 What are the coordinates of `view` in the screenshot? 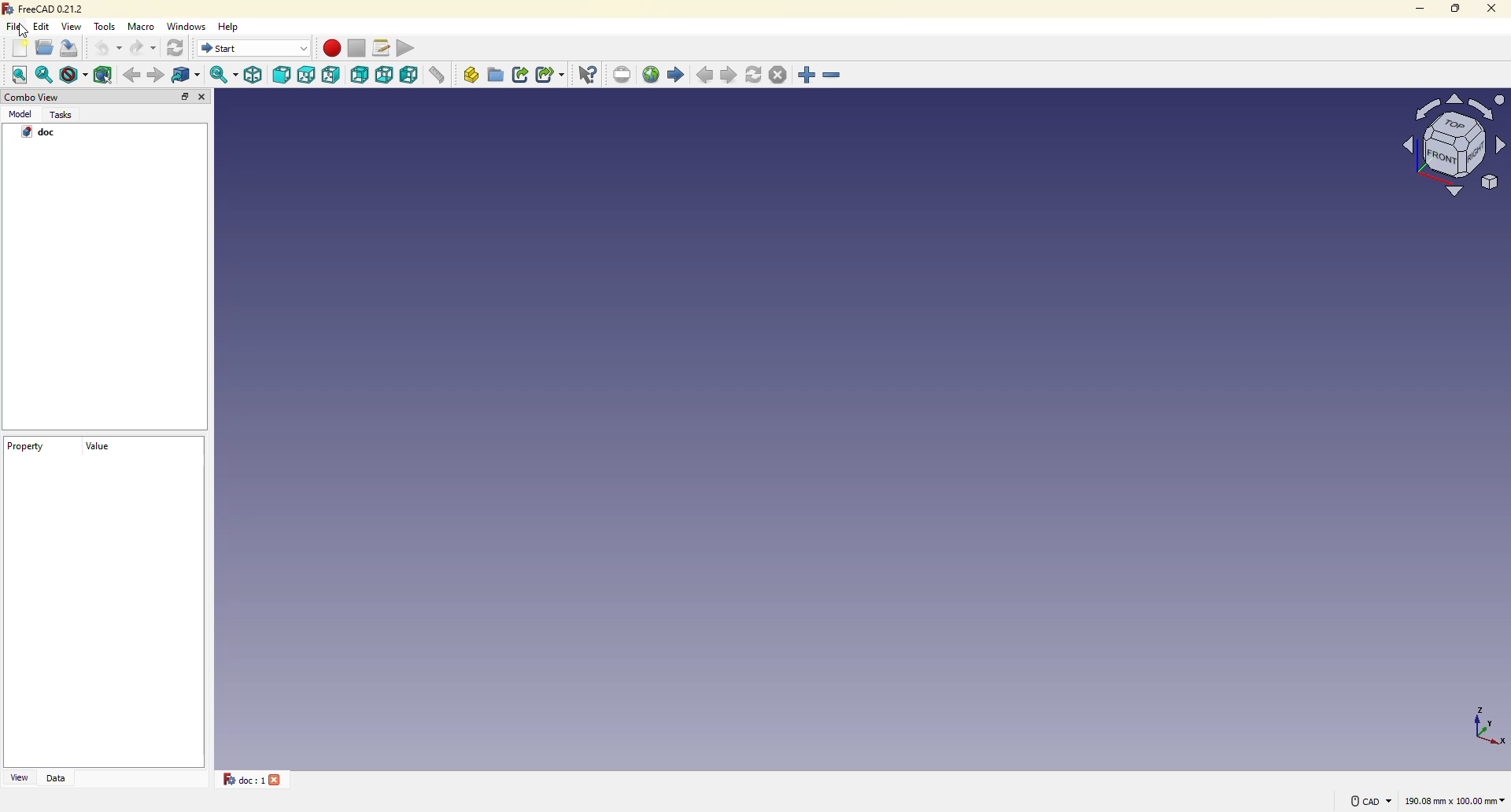 It's located at (73, 26).